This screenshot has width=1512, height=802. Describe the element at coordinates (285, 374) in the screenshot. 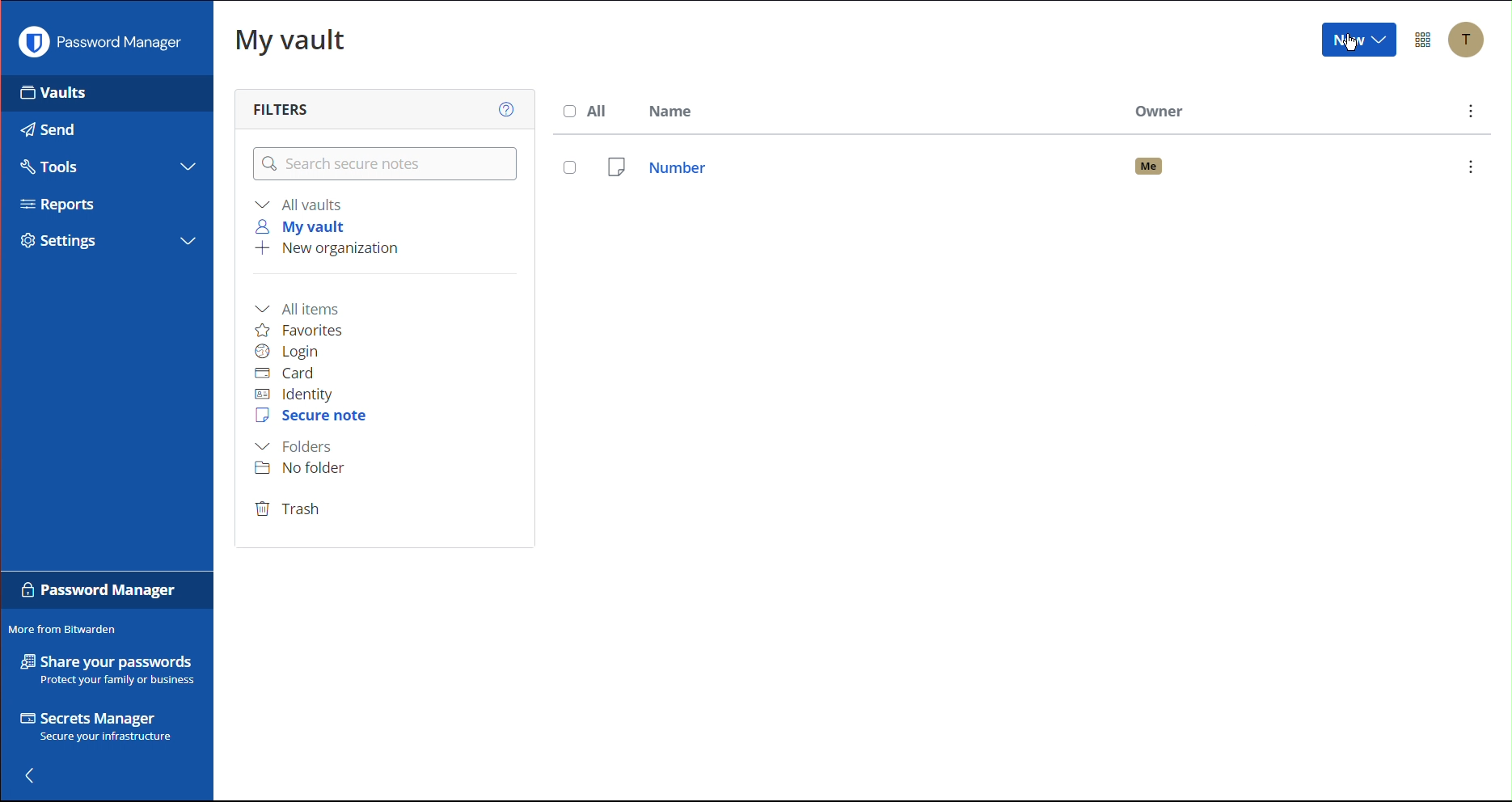

I see `Card` at that location.